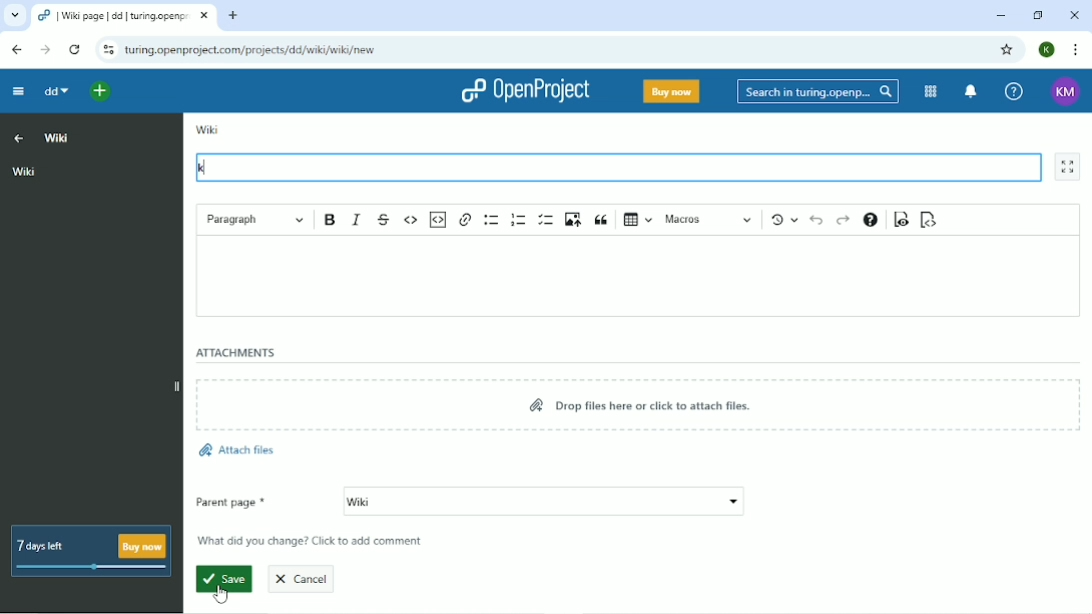  What do you see at coordinates (638, 221) in the screenshot?
I see `Insert table` at bounding box center [638, 221].